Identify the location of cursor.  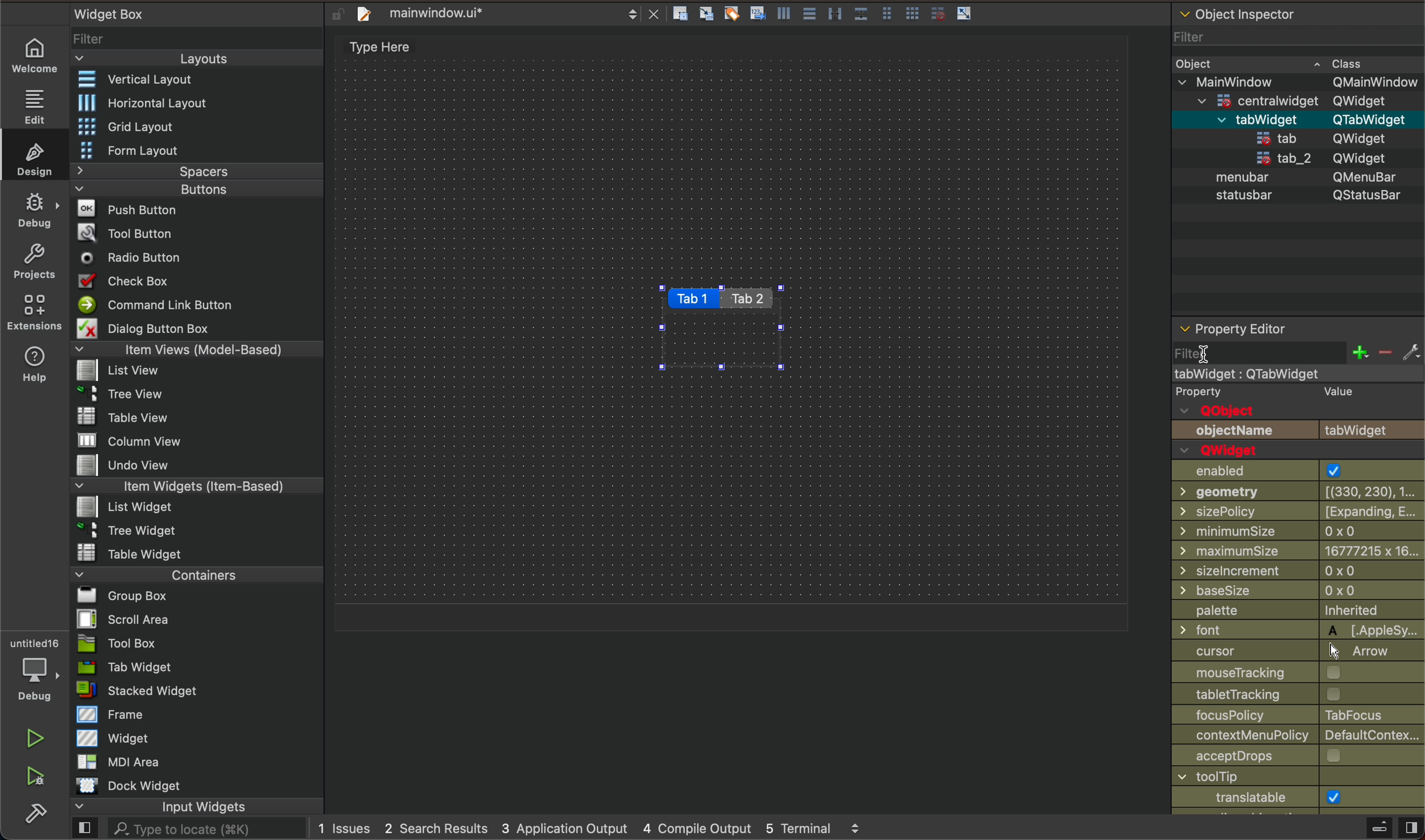
(1296, 652).